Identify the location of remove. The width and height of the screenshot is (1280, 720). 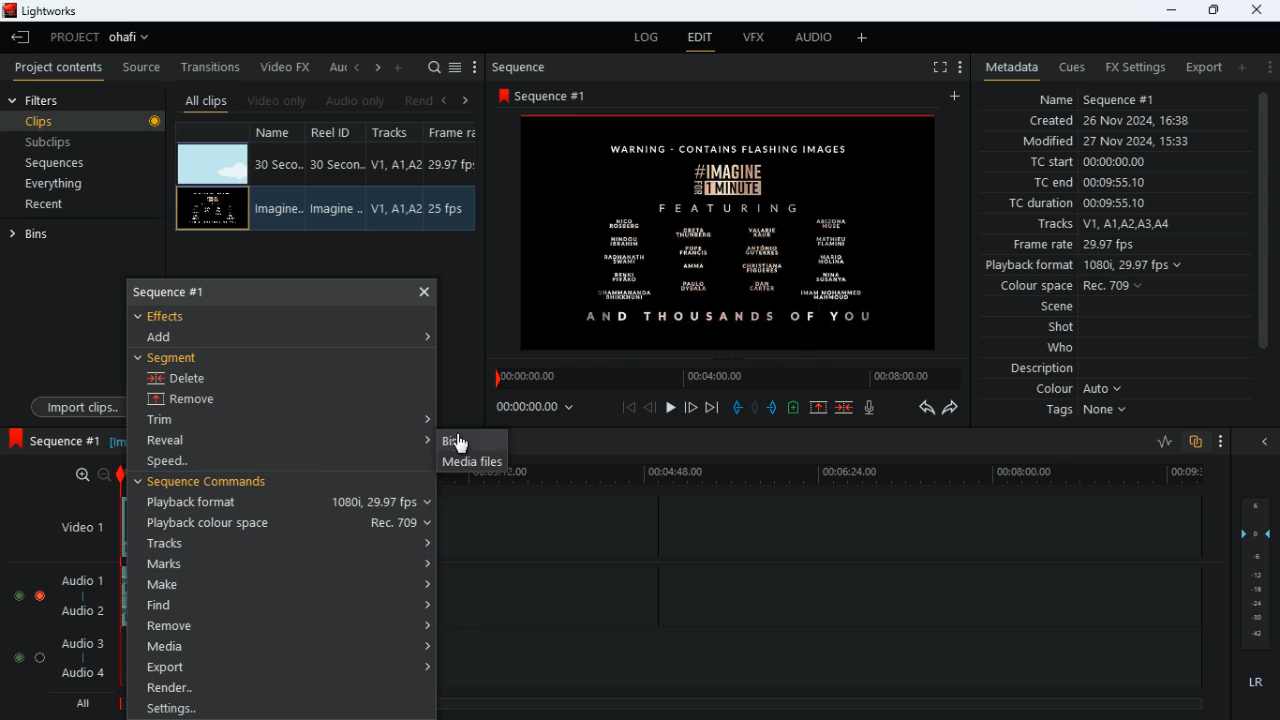
(197, 401).